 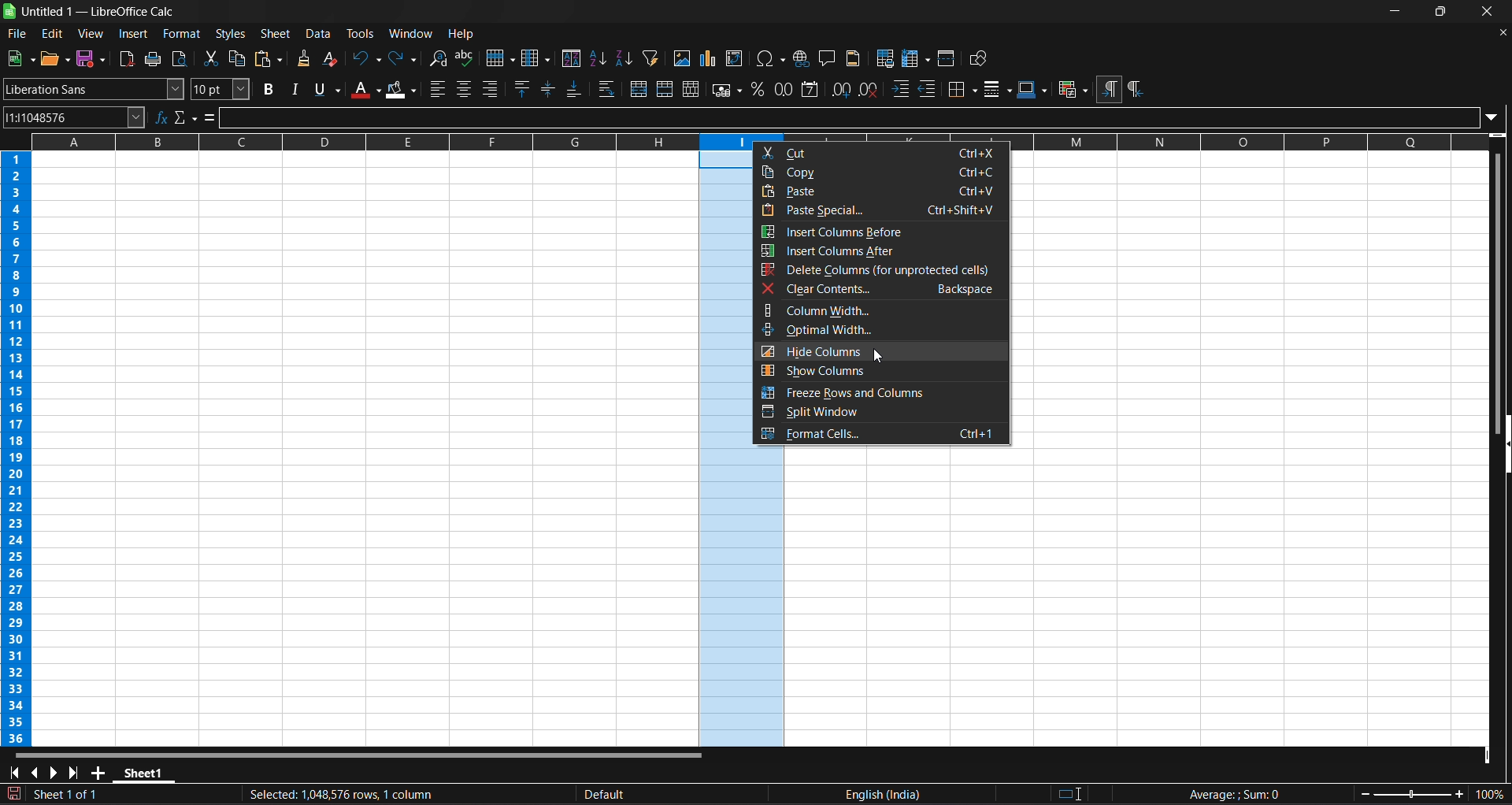 I want to click on paste, so click(x=272, y=60).